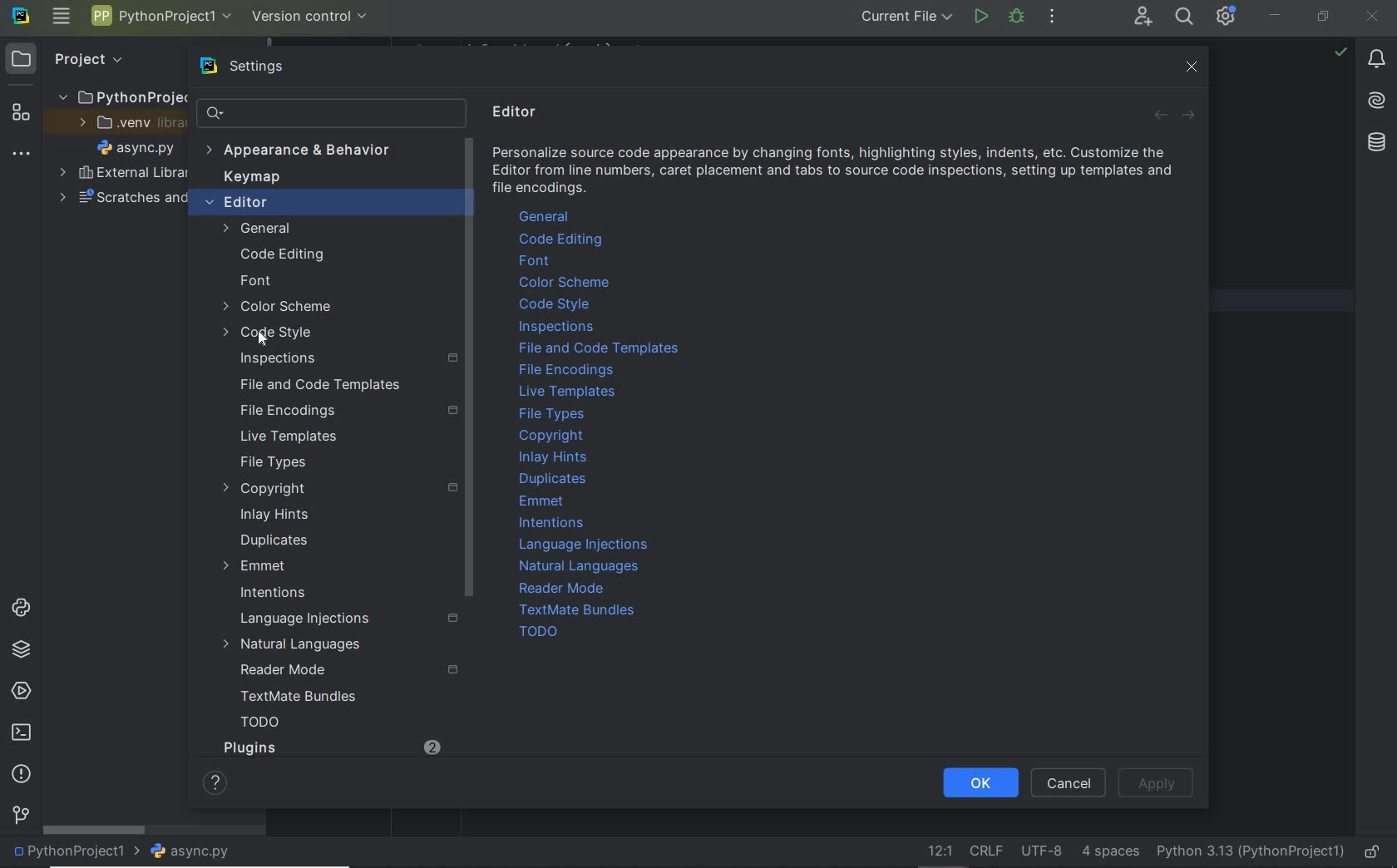 This screenshot has height=868, width=1397. Describe the element at coordinates (284, 254) in the screenshot. I see `Code Editing` at that location.